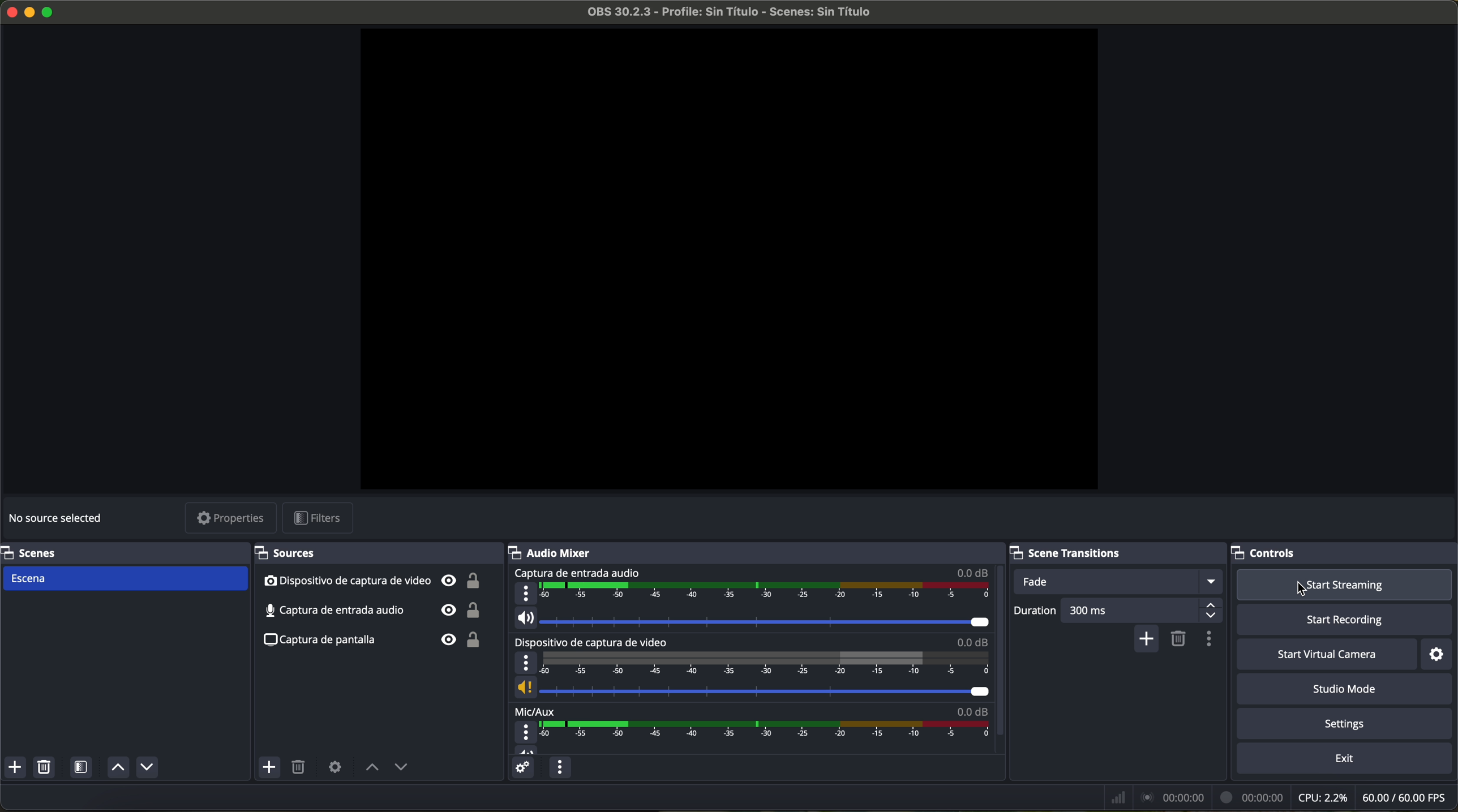  I want to click on open scene filters, so click(83, 769).